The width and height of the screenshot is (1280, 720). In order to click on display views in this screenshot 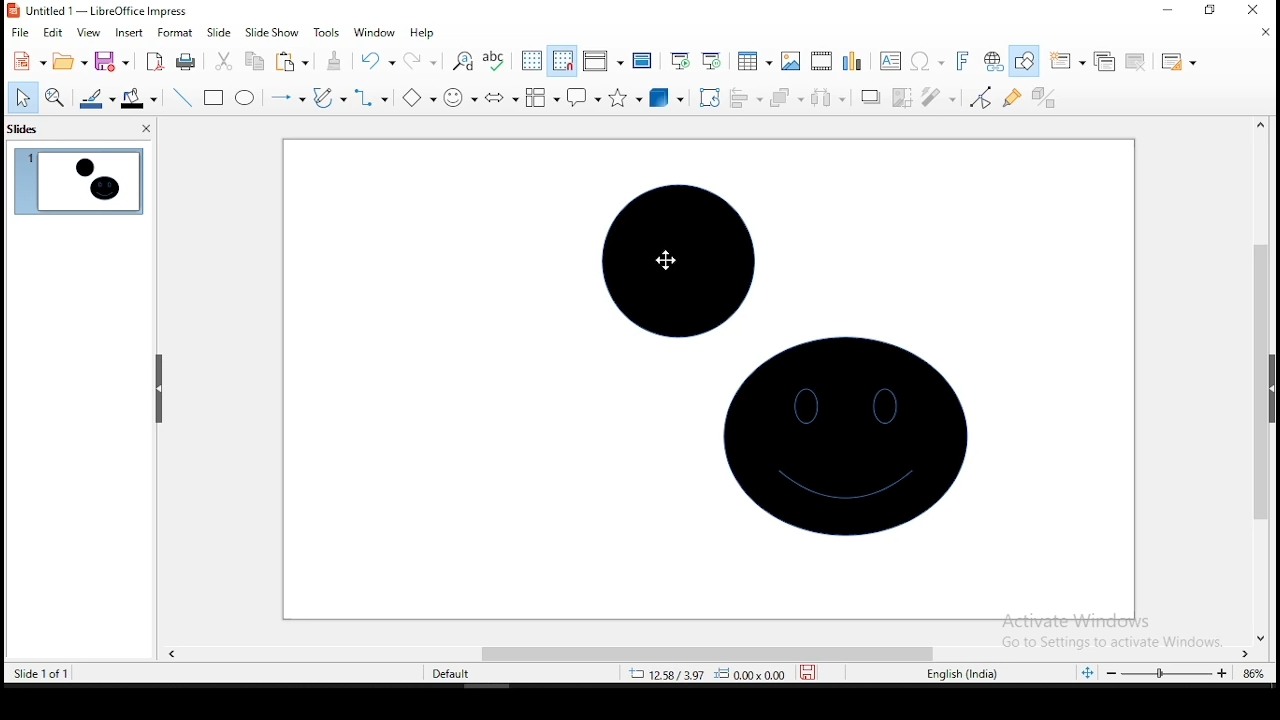, I will do `click(602, 61)`.